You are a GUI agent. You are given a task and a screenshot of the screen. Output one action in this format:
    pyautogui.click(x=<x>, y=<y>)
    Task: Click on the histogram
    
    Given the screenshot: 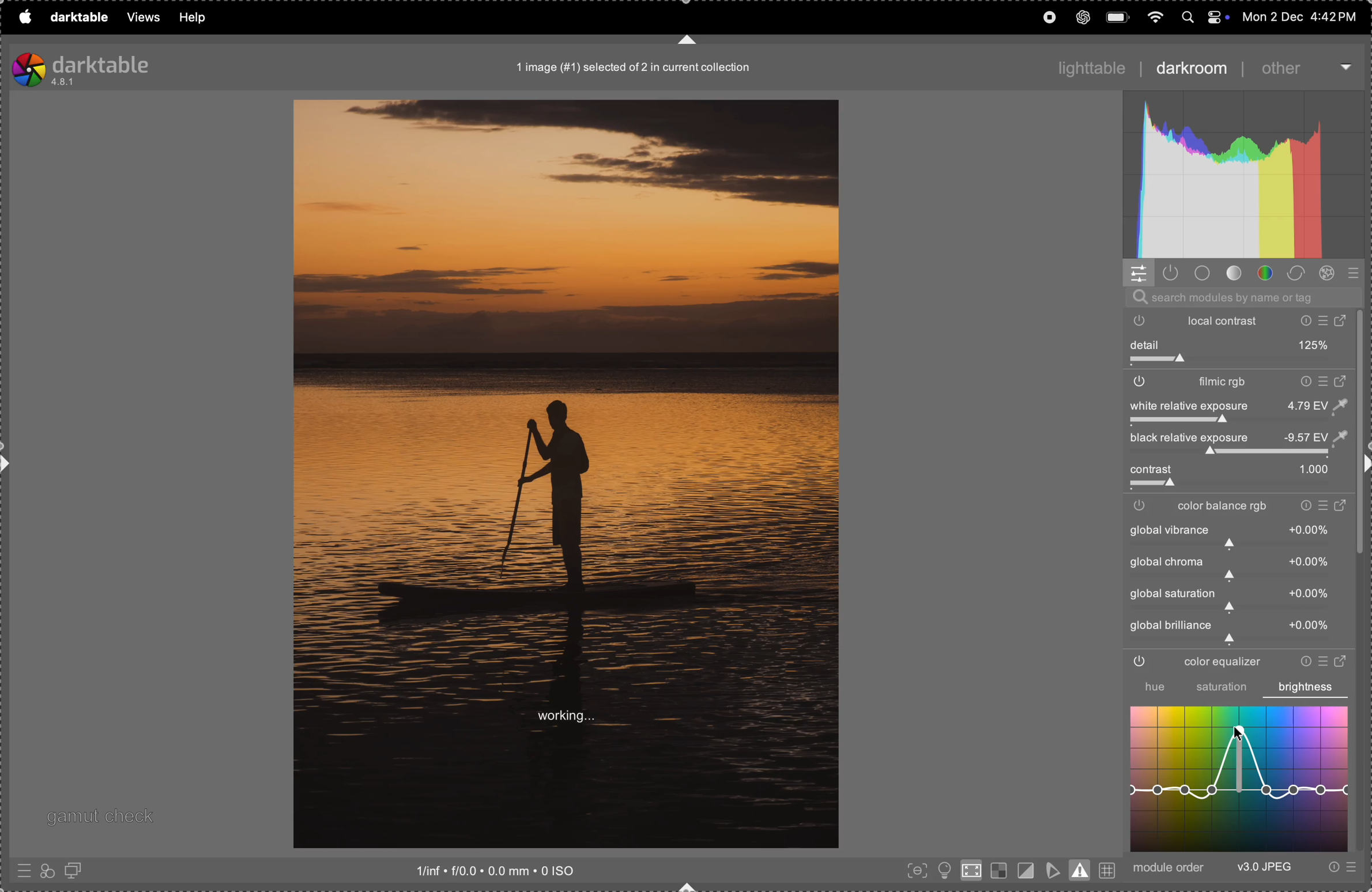 What is the action you would take?
    pyautogui.click(x=1245, y=176)
    